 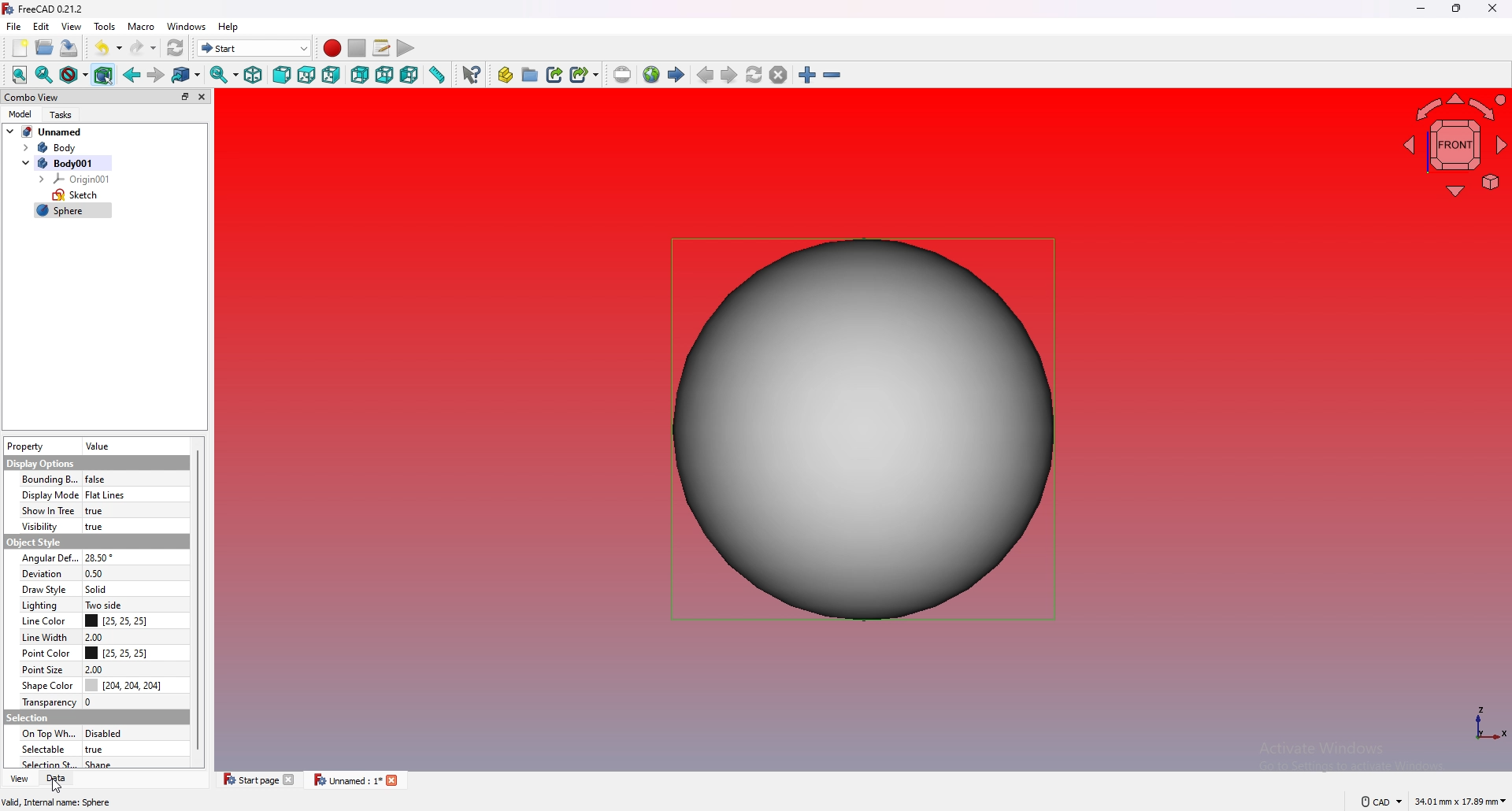 What do you see at coordinates (555, 75) in the screenshot?
I see `create link` at bounding box center [555, 75].